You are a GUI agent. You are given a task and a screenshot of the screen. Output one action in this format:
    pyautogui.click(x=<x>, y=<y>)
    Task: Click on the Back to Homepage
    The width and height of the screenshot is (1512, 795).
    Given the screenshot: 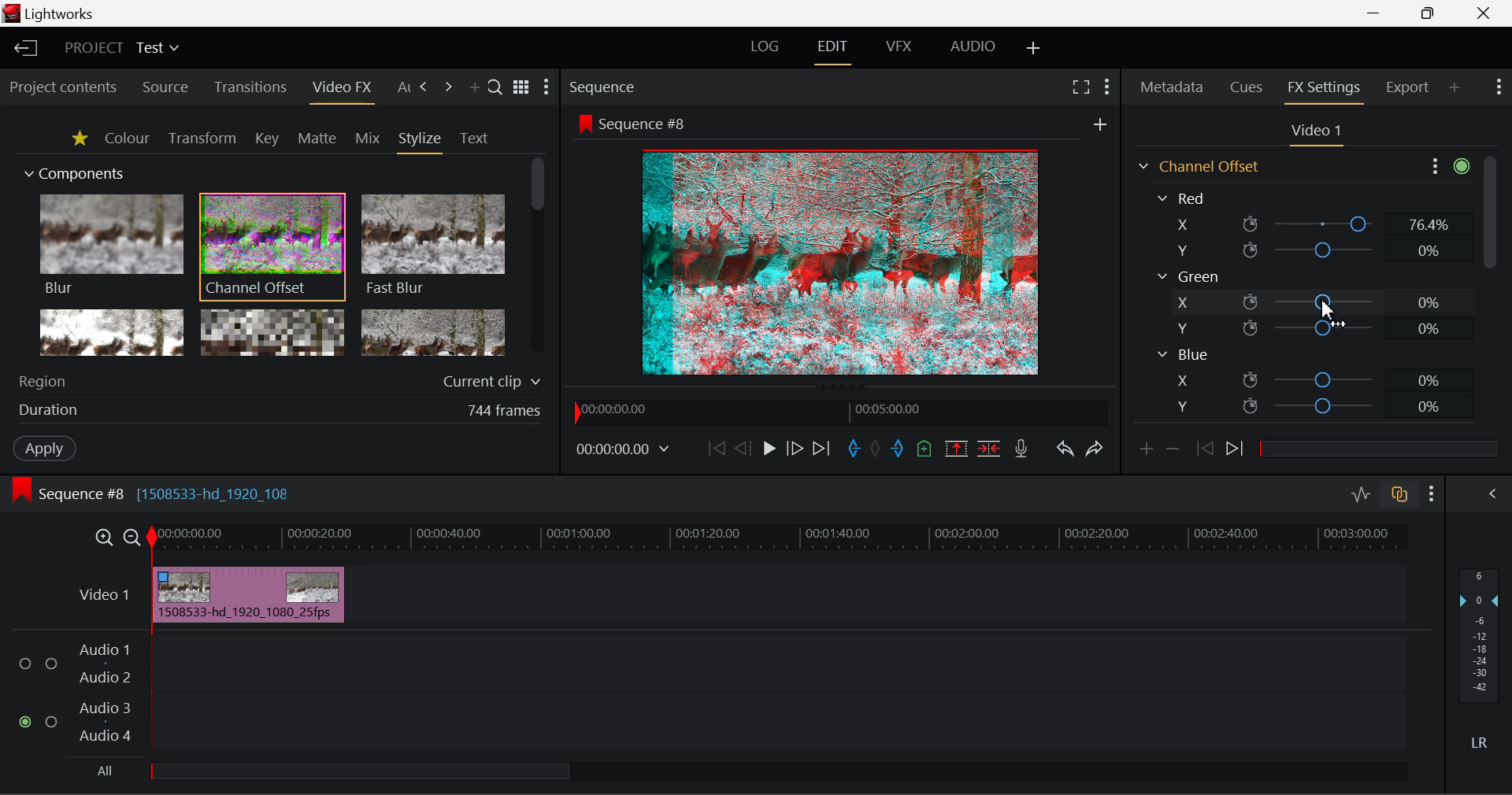 What is the action you would take?
    pyautogui.click(x=24, y=49)
    